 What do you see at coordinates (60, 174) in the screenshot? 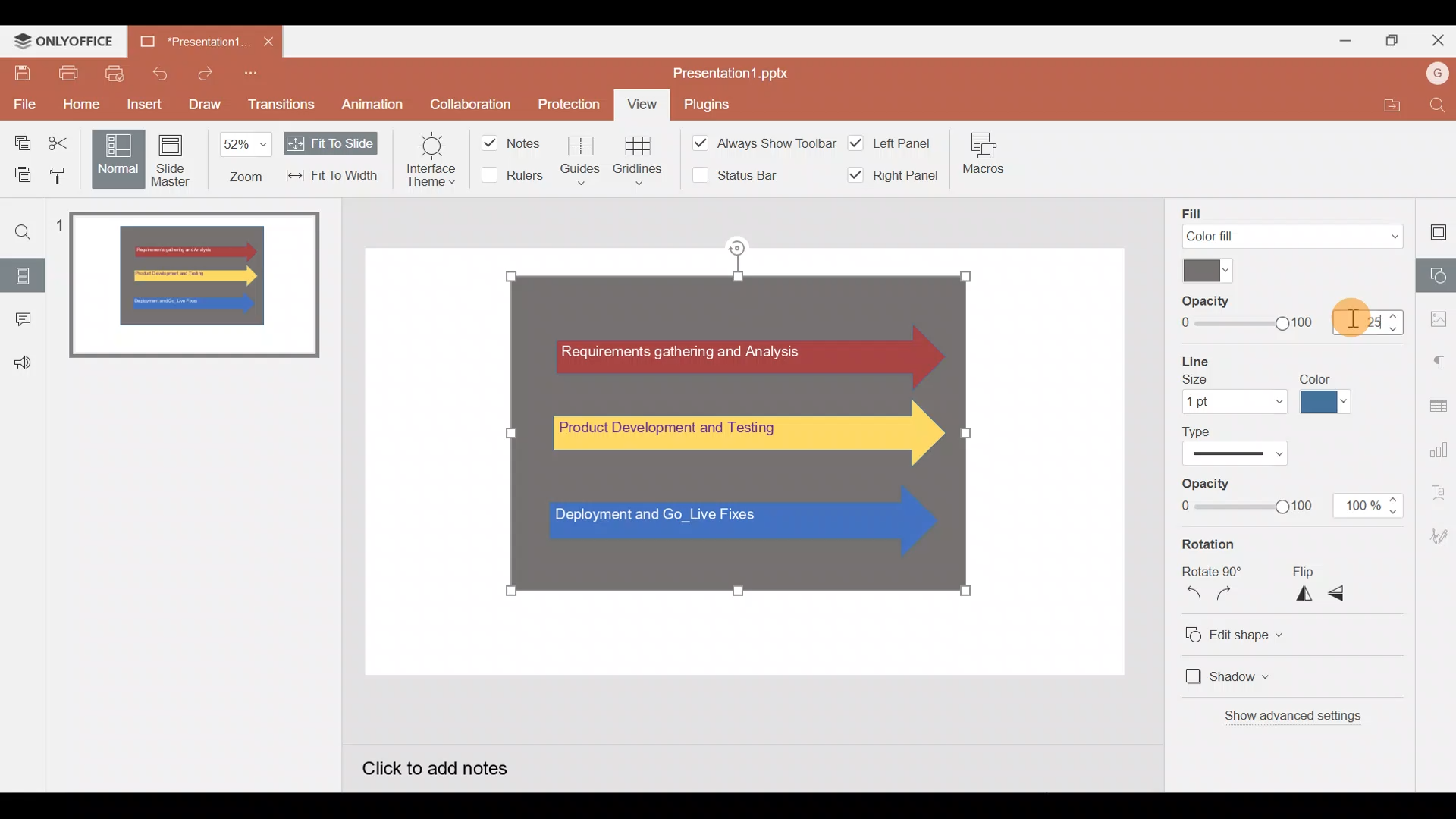
I see `Copy style` at bounding box center [60, 174].